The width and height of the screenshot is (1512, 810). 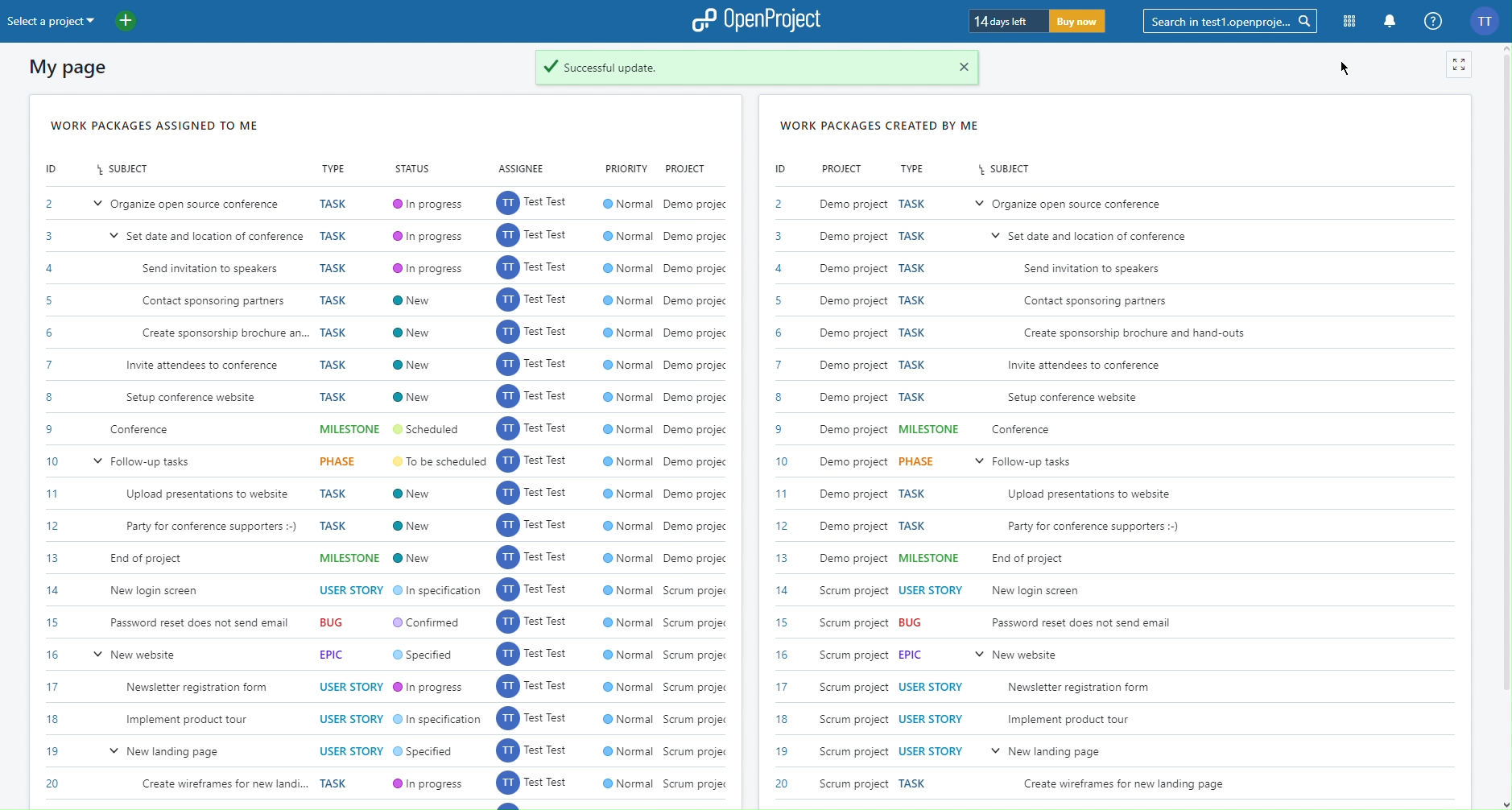 I want to click on User Story, so click(x=352, y=715).